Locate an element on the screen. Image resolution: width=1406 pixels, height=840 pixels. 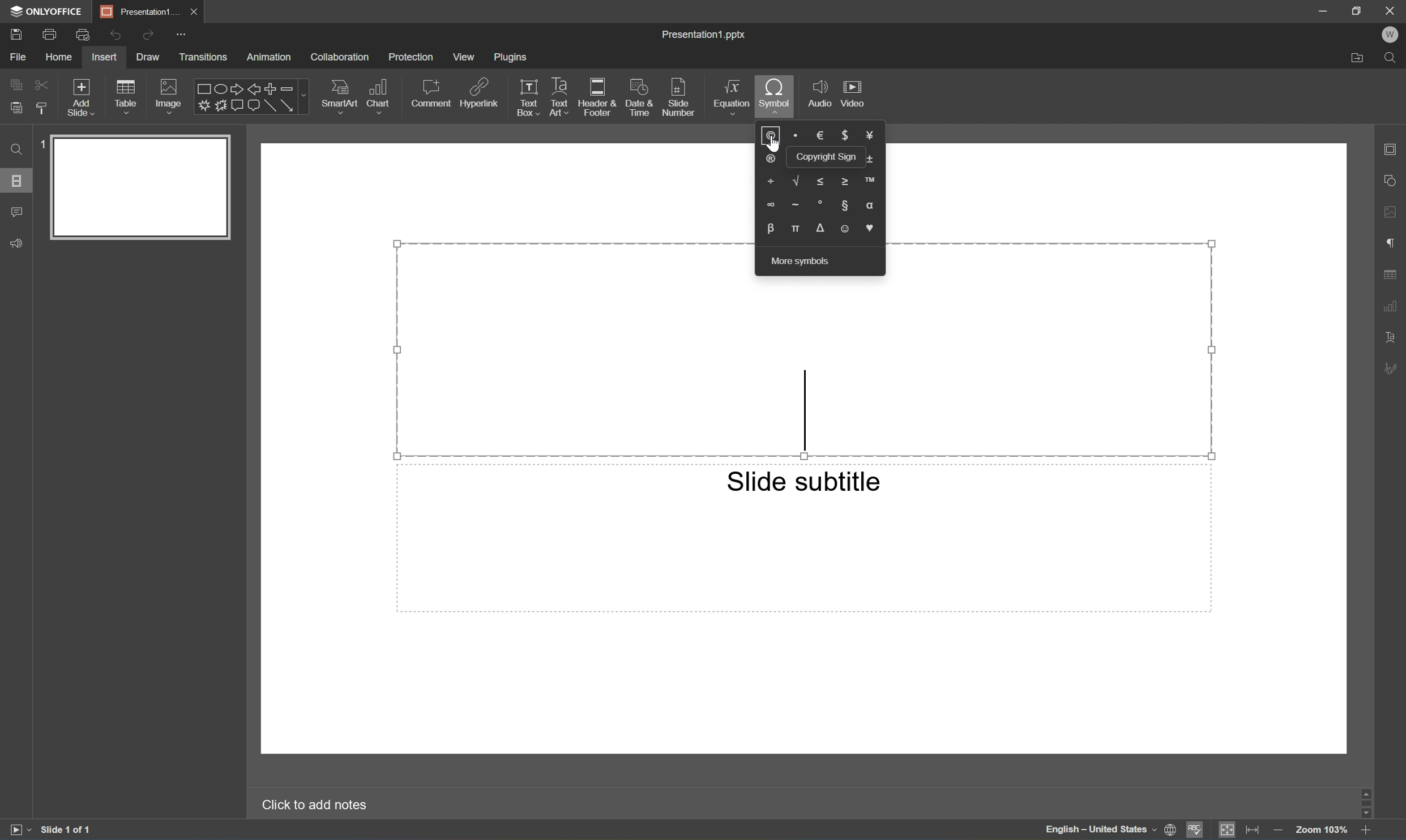
Find is located at coordinates (1394, 58).